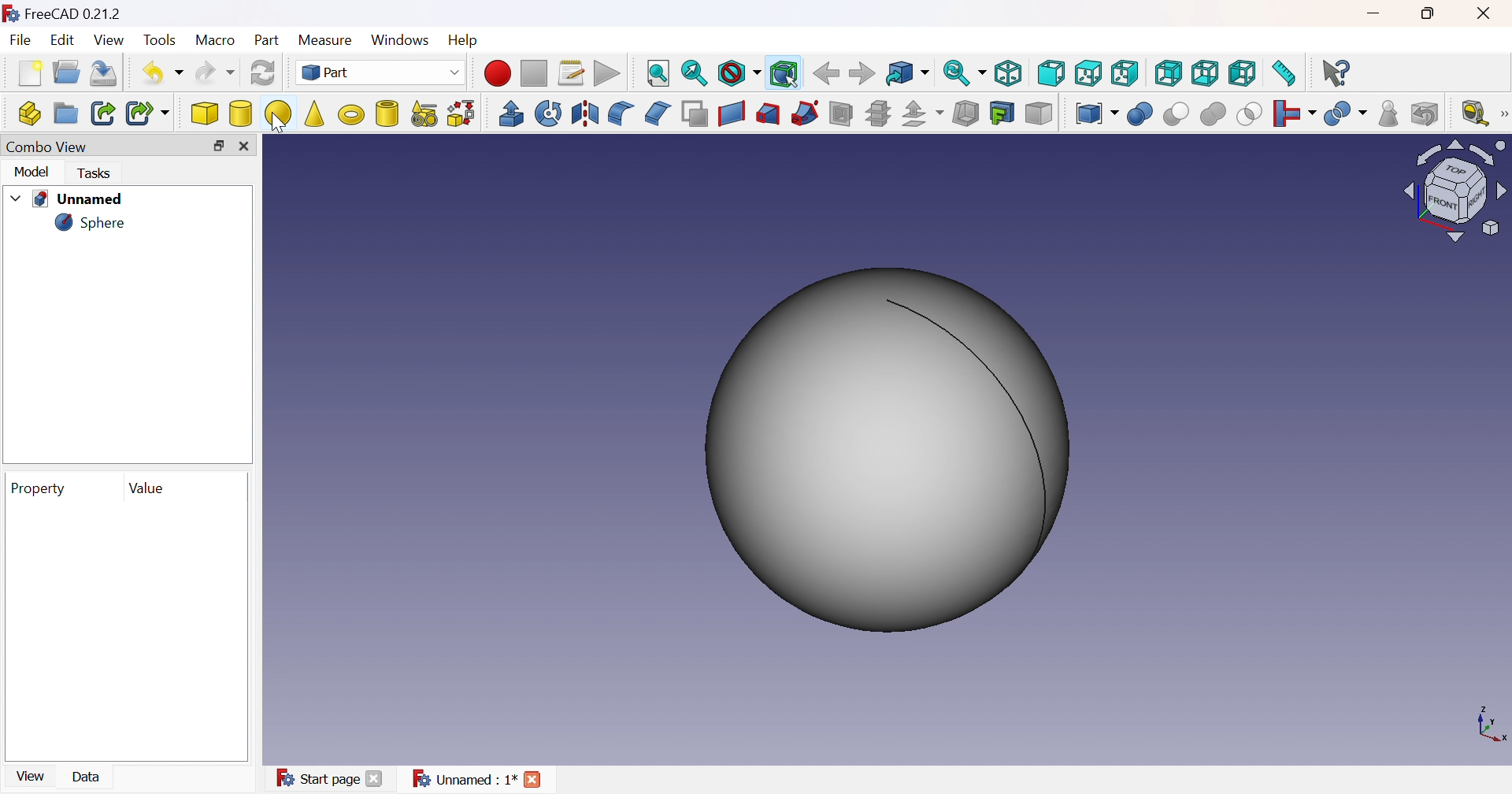  What do you see at coordinates (1205, 72) in the screenshot?
I see `Bottom` at bounding box center [1205, 72].